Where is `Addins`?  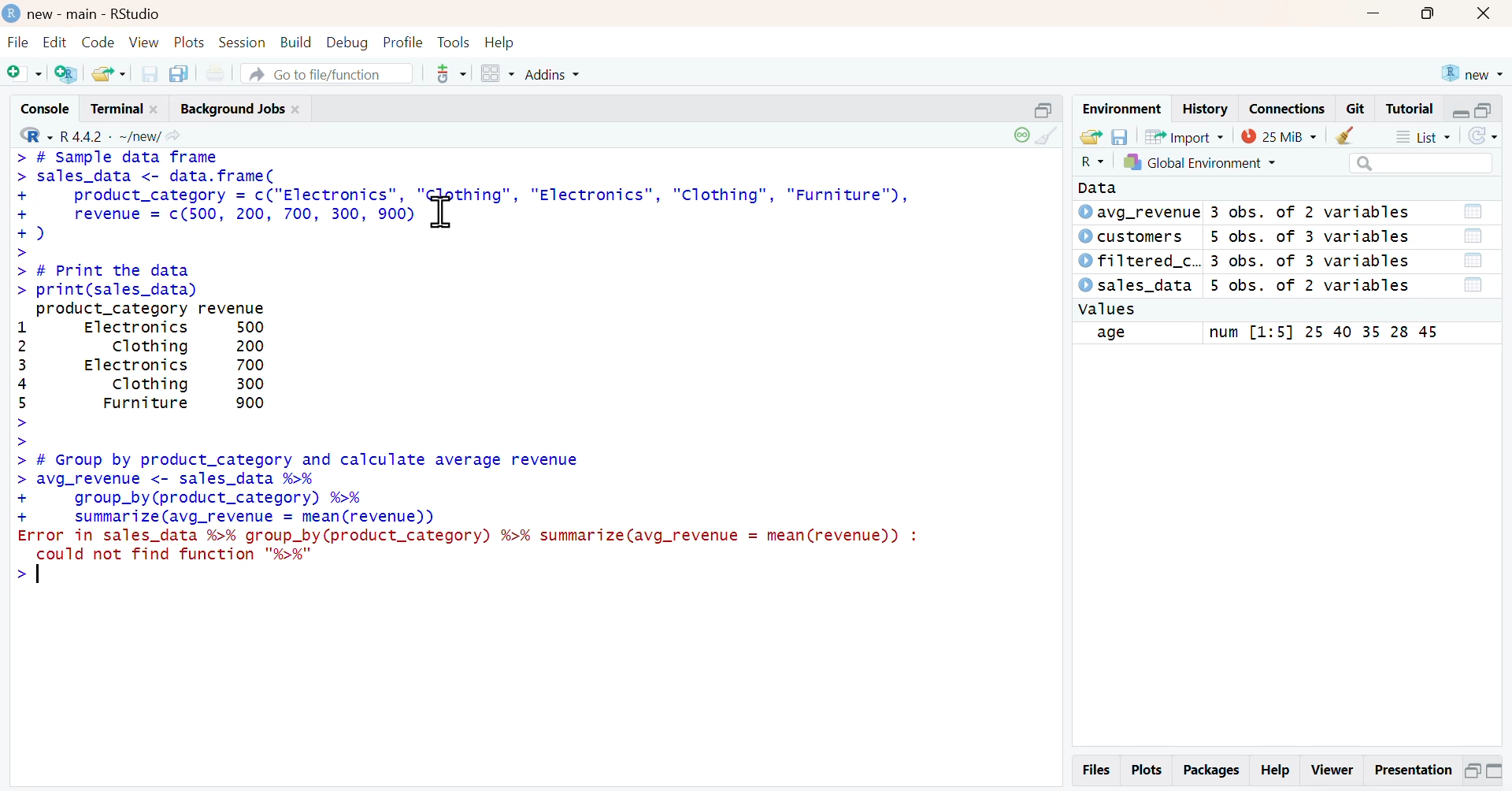
Addins is located at coordinates (550, 74).